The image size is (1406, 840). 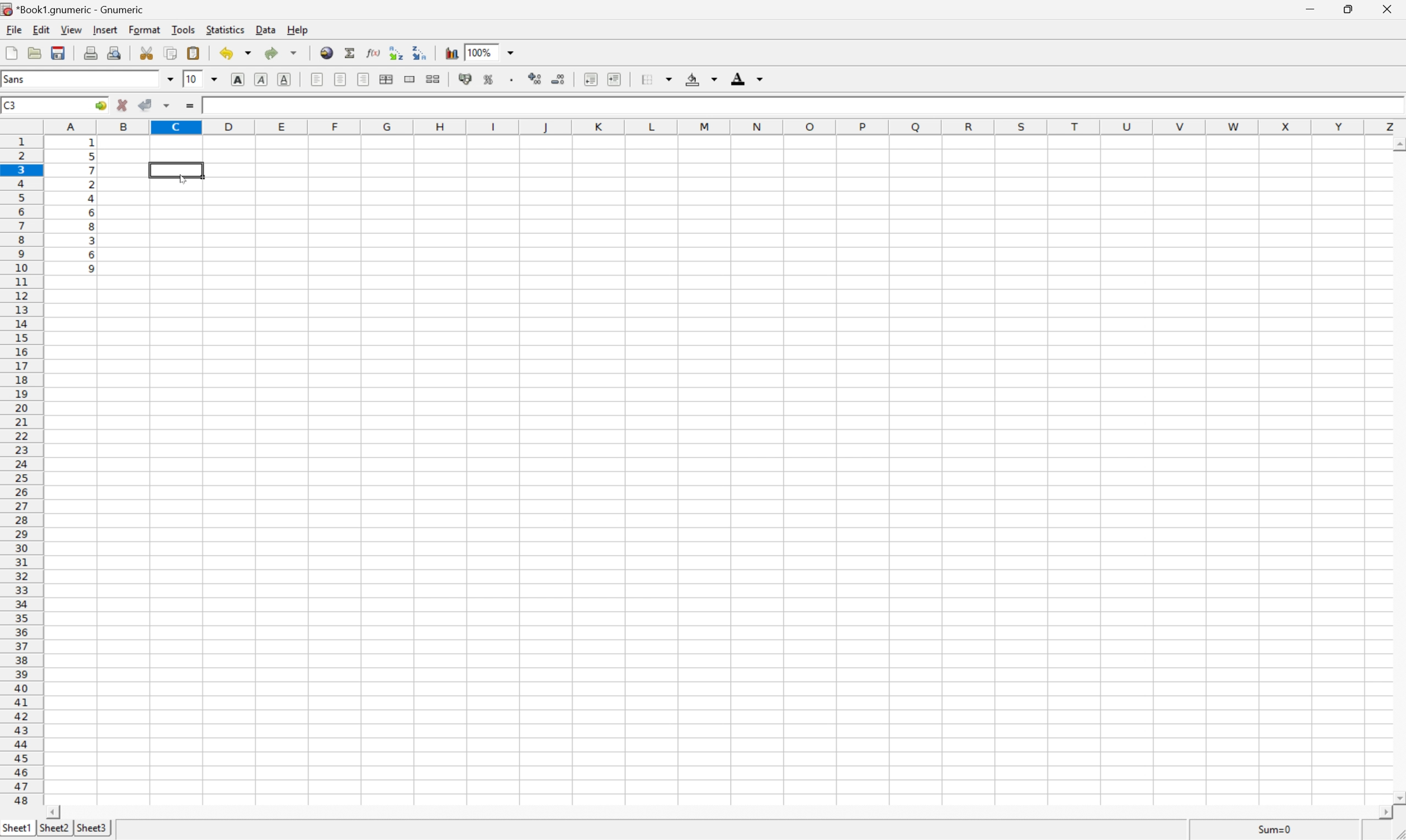 I want to click on sheet2, so click(x=53, y=828).